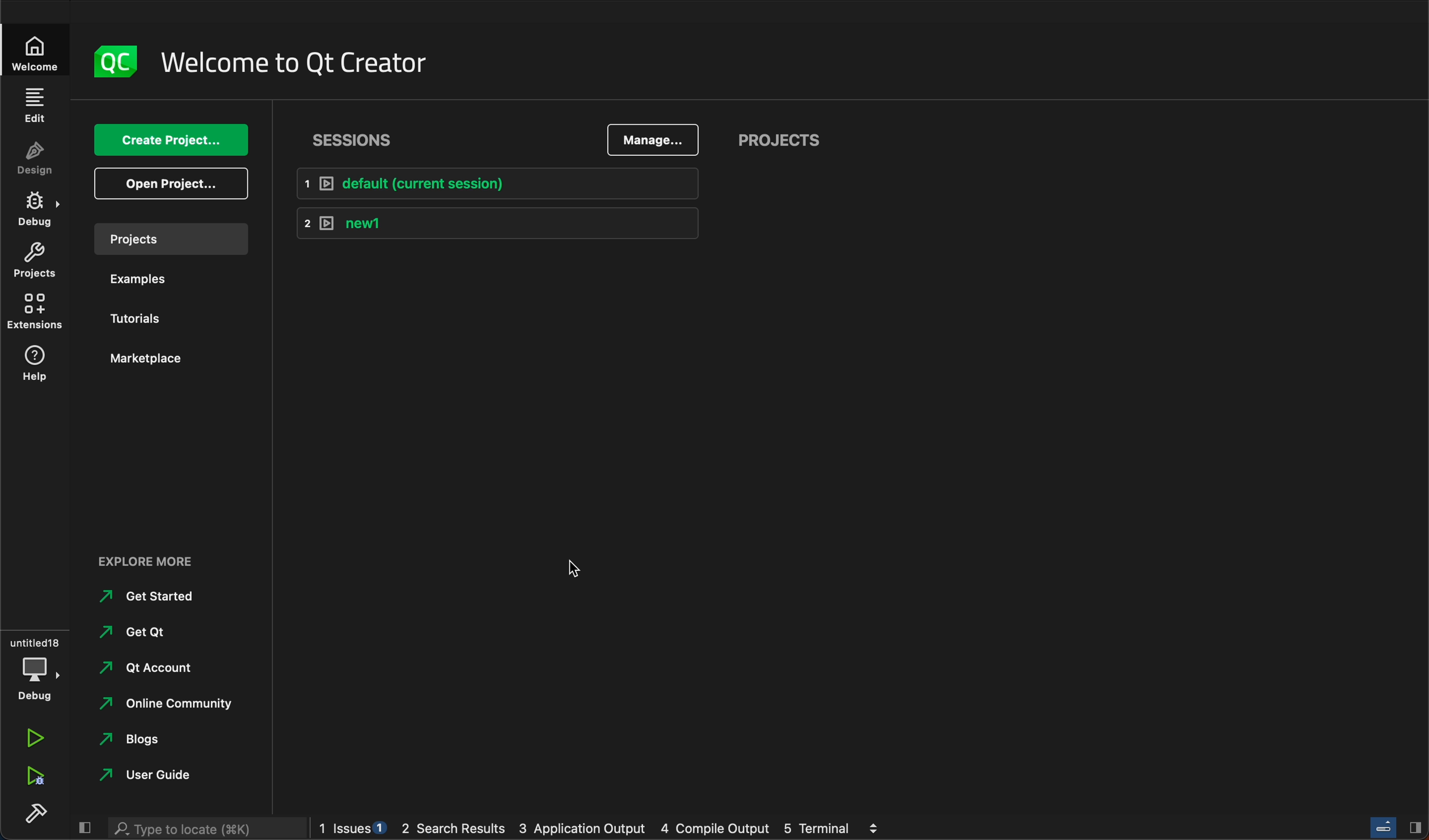 This screenshot has height=840, width=1429. I want to click on started, so click(160, 596).